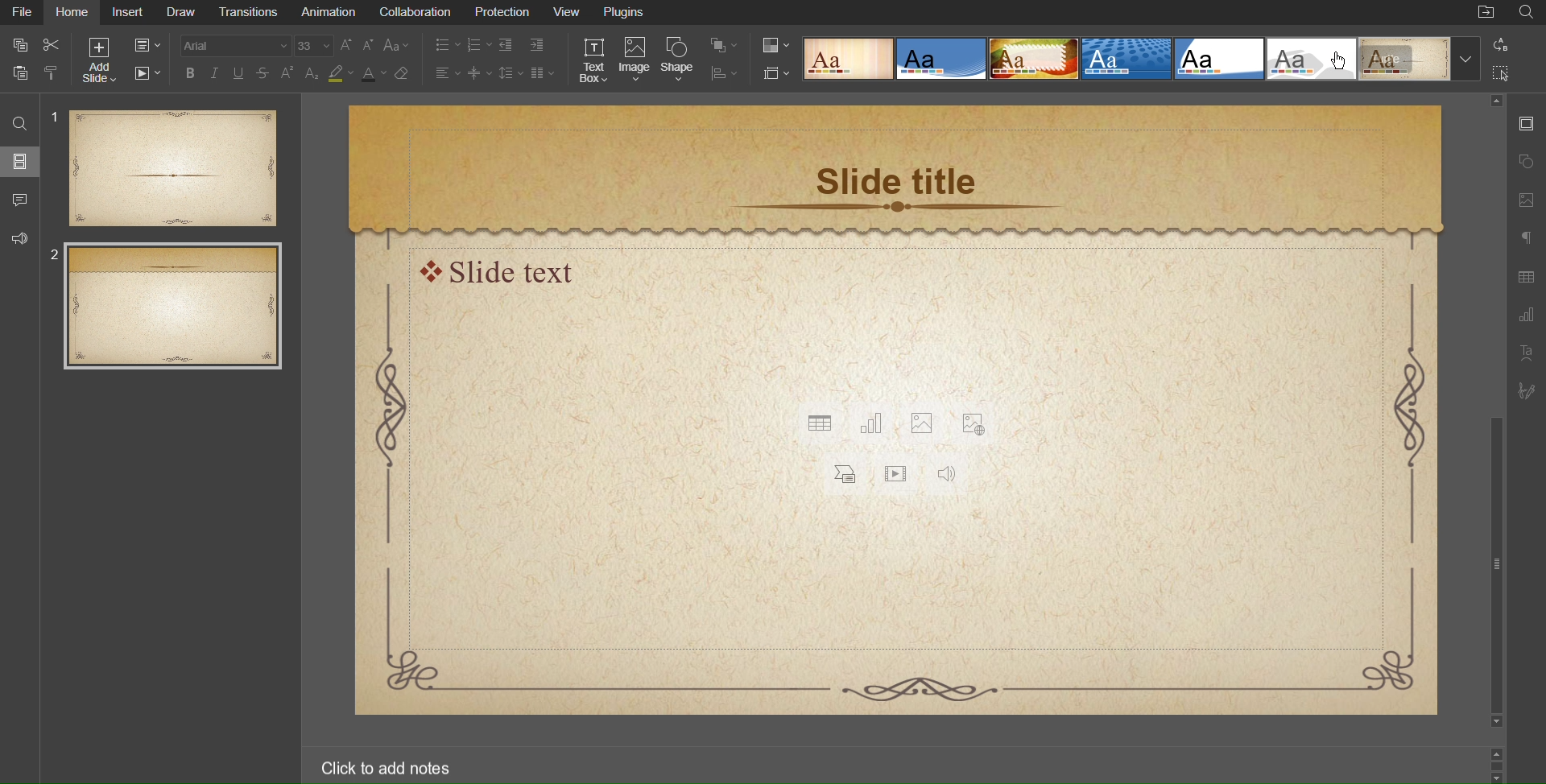 This screenshot has height=784, width=1546. What do you see at coordinates (1525, 316) in the screenshot?
I see `Graph` at bounding box center [1525, 316].